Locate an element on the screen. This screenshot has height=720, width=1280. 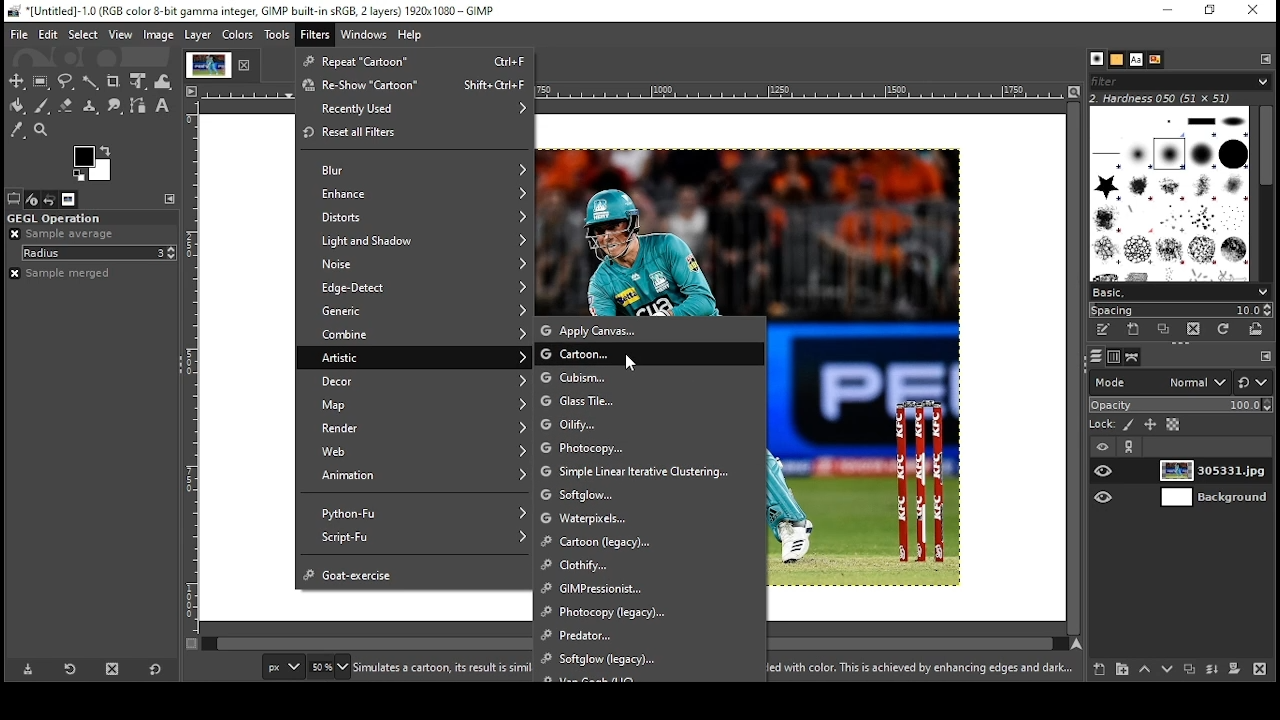
decor is located at coordinates (414, 381).